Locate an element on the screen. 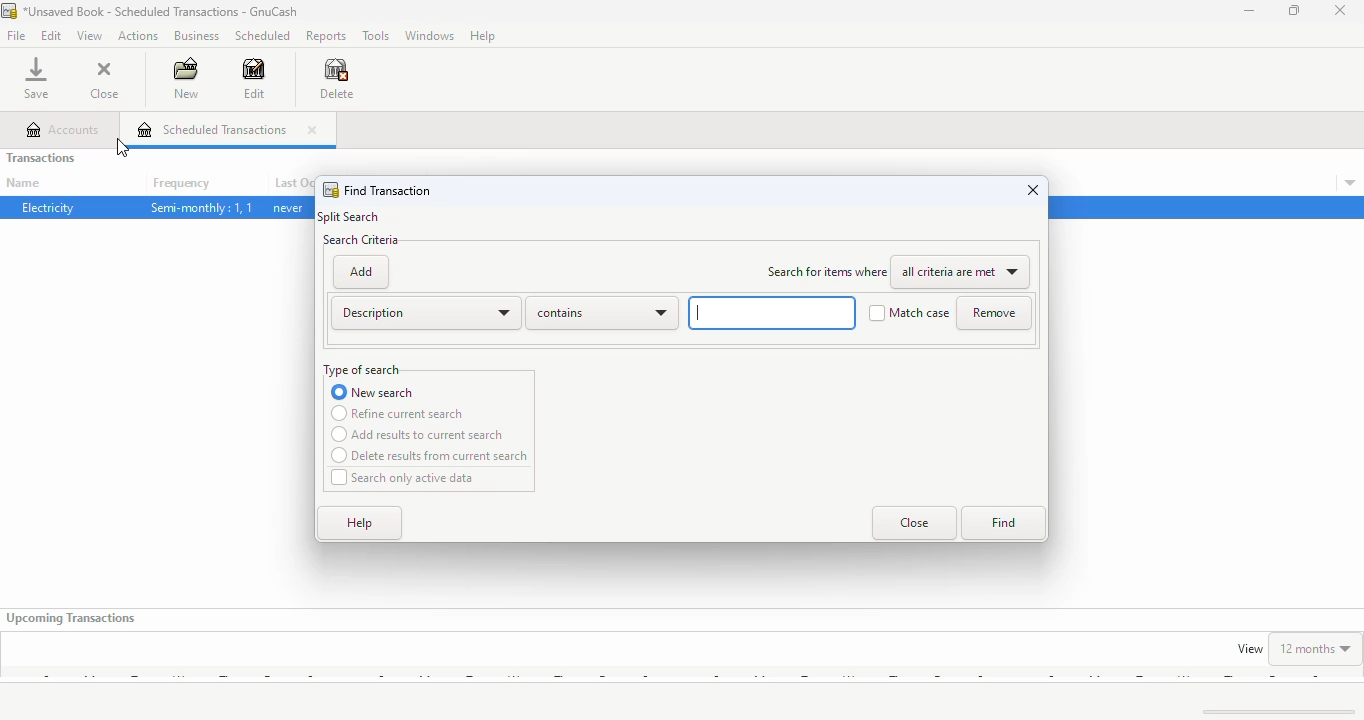  close is located at coordinates (106, 81).